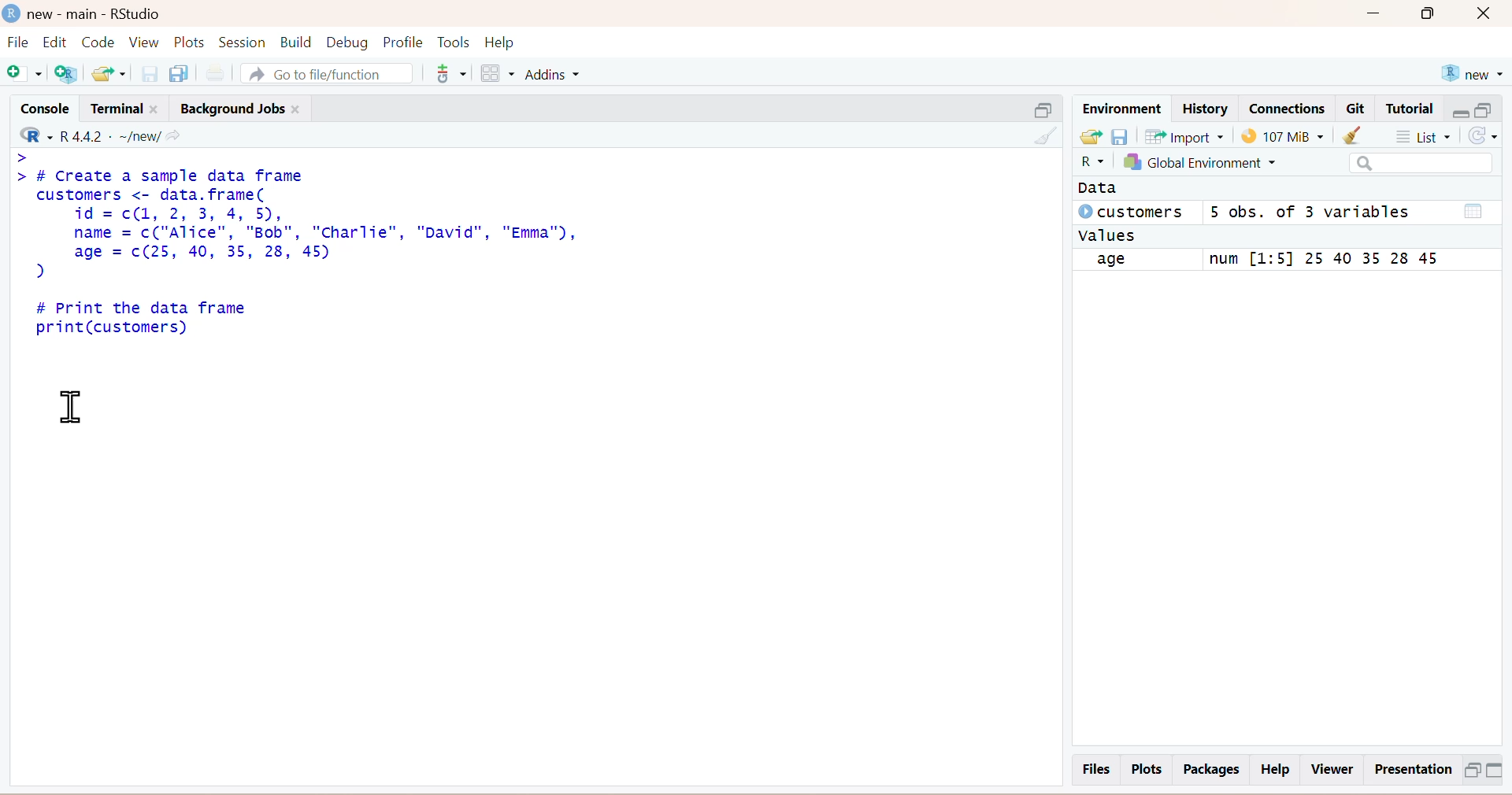 The height and width of the screenshot is (795, 1512). Describe the element at coordinates (1486, 109) in the screenshot. I see `maximise` at that location.